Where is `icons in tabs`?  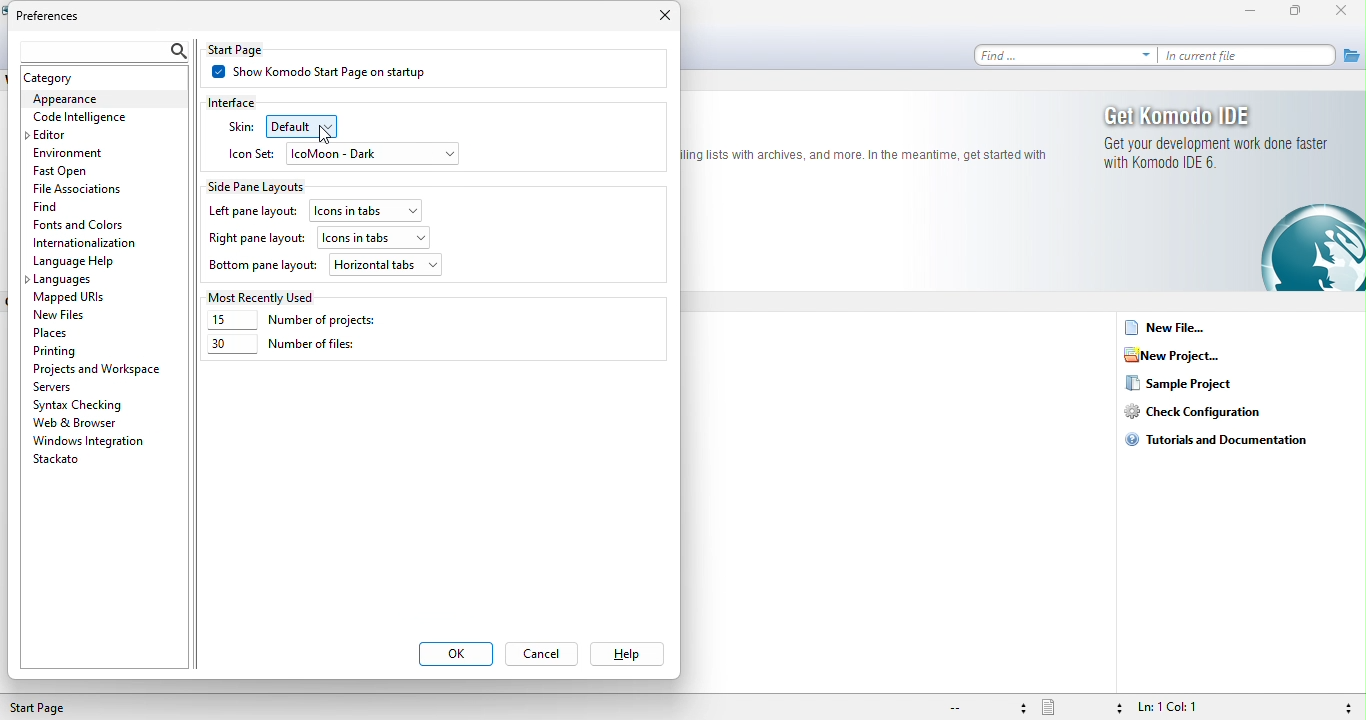
icons in tabs is located at coordinates (374, 235).